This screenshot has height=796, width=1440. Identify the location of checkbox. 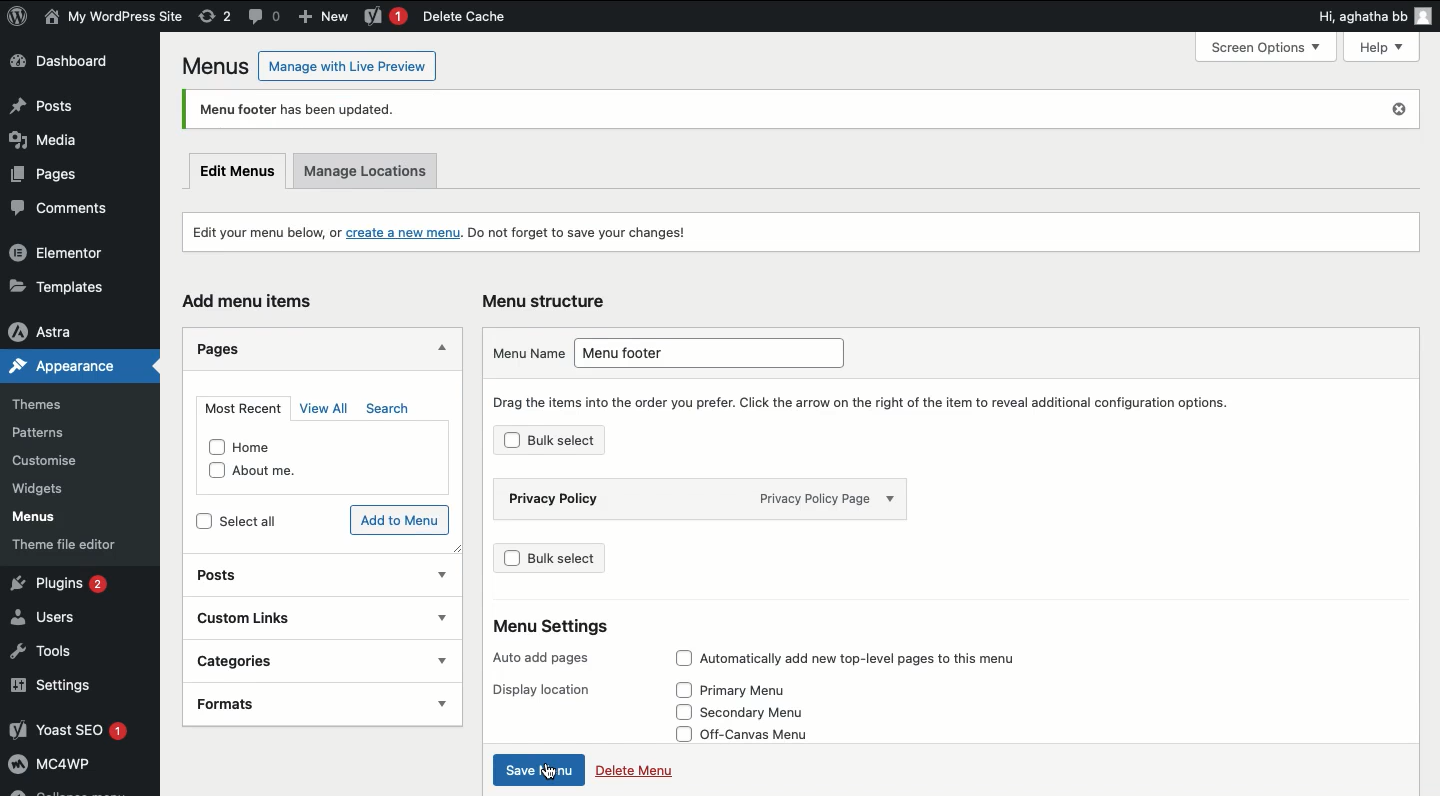
(508, 559).